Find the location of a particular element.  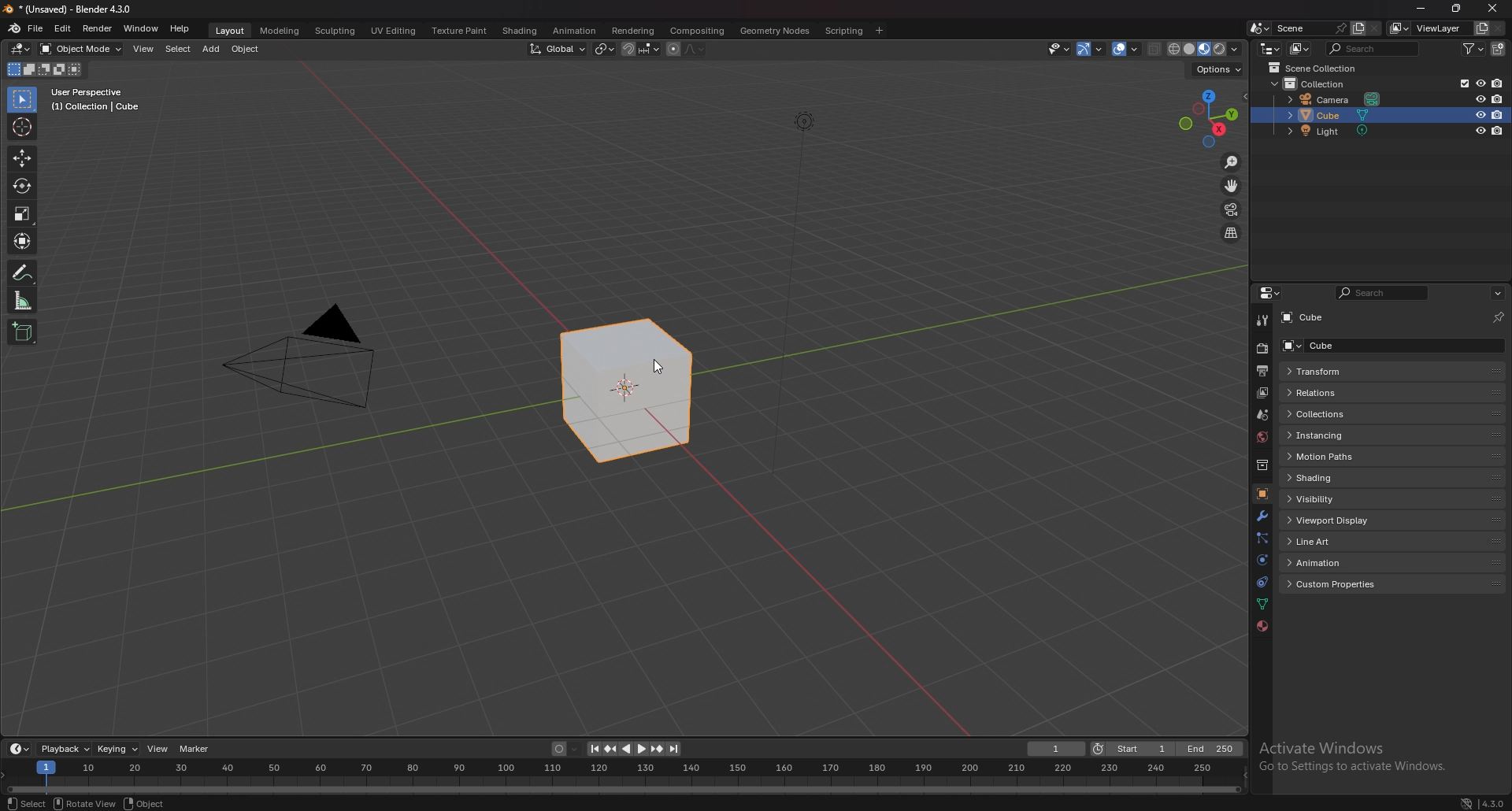

jump to keyframe is located at coordinates (656, 748).